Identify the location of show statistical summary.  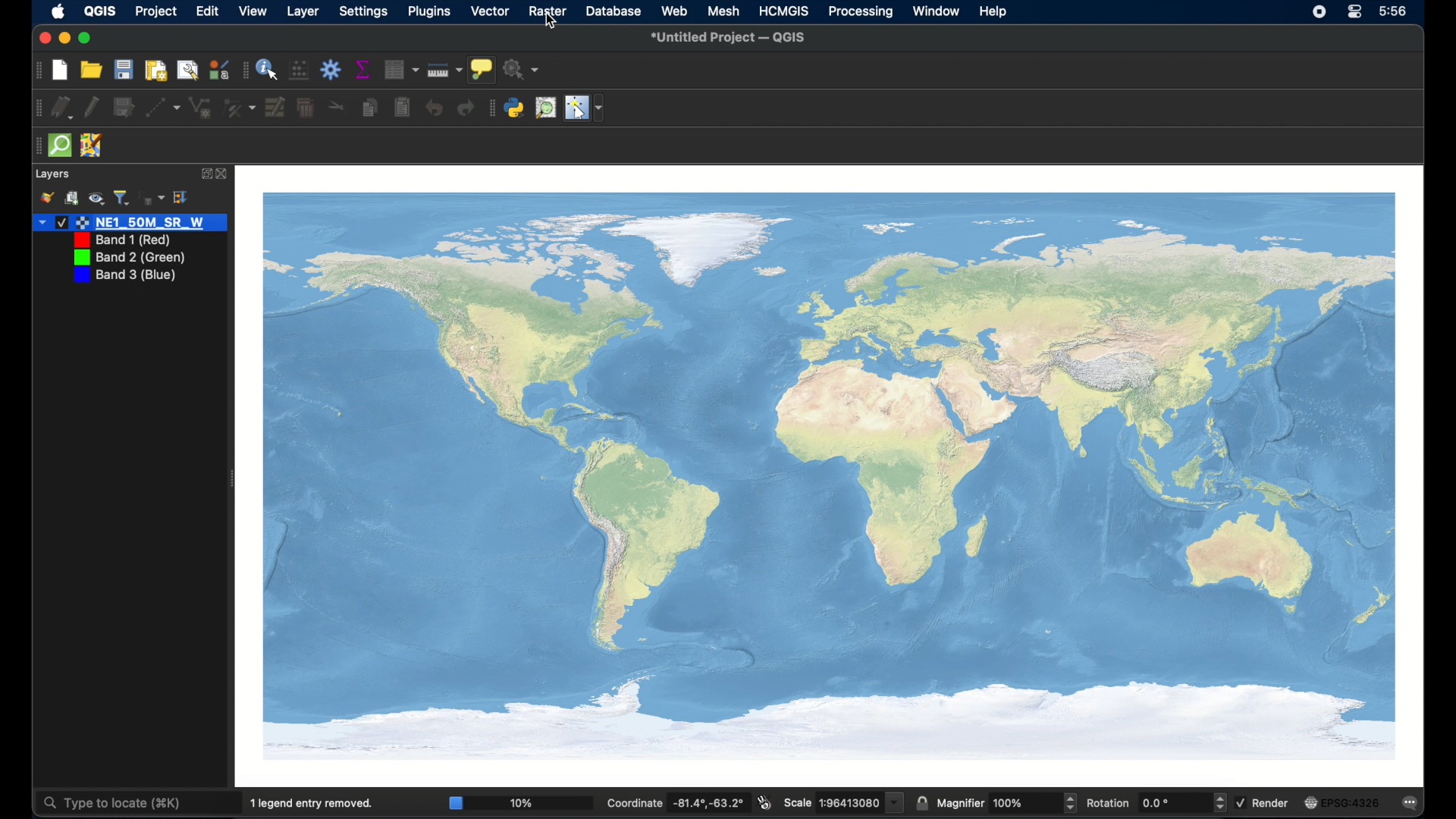
(362, 69).